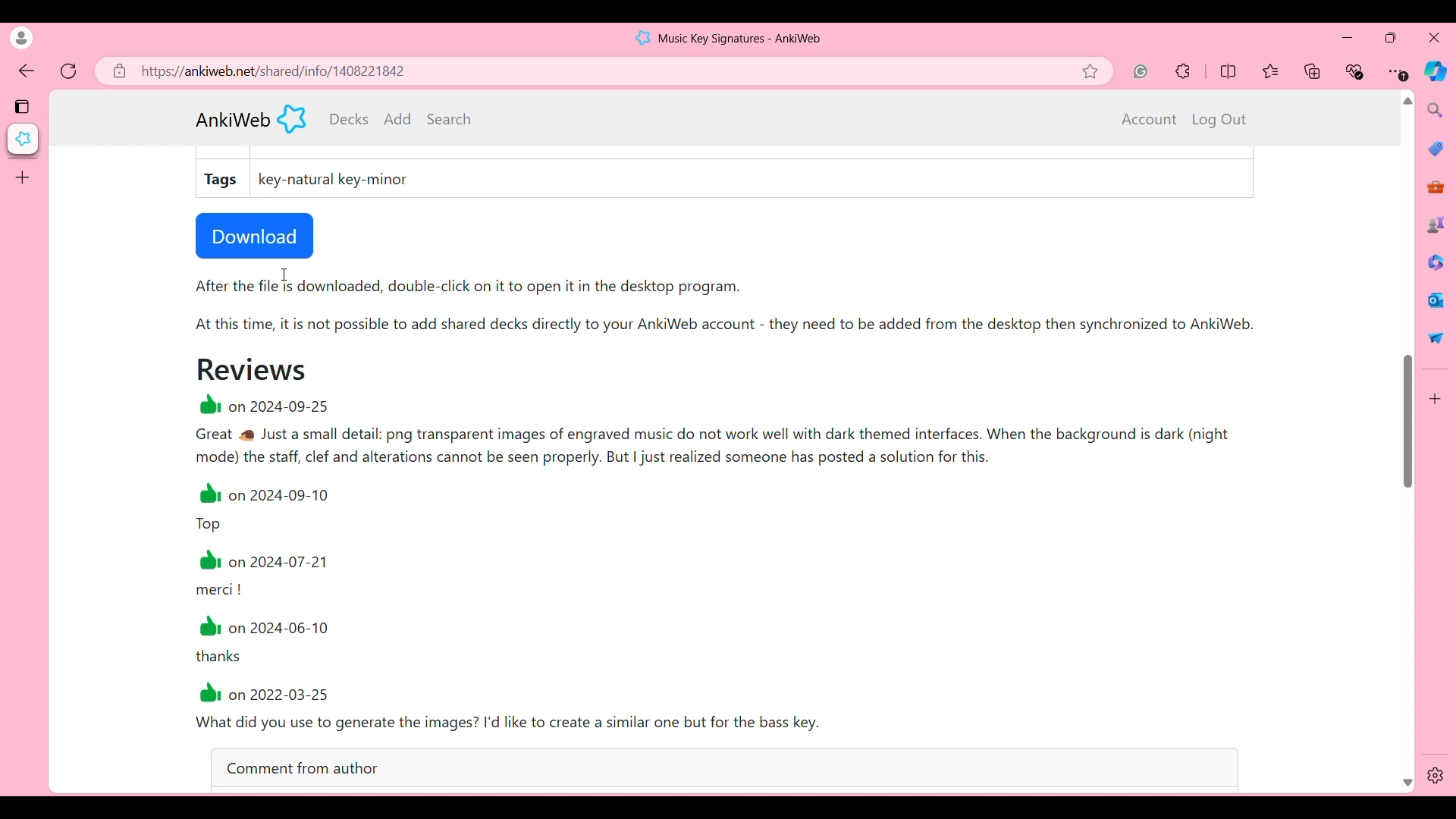 This screenshot has width=1456, height=819. Describe the element at coordinates (1313, 71) in the screenshot. I see `Collections` at that location.